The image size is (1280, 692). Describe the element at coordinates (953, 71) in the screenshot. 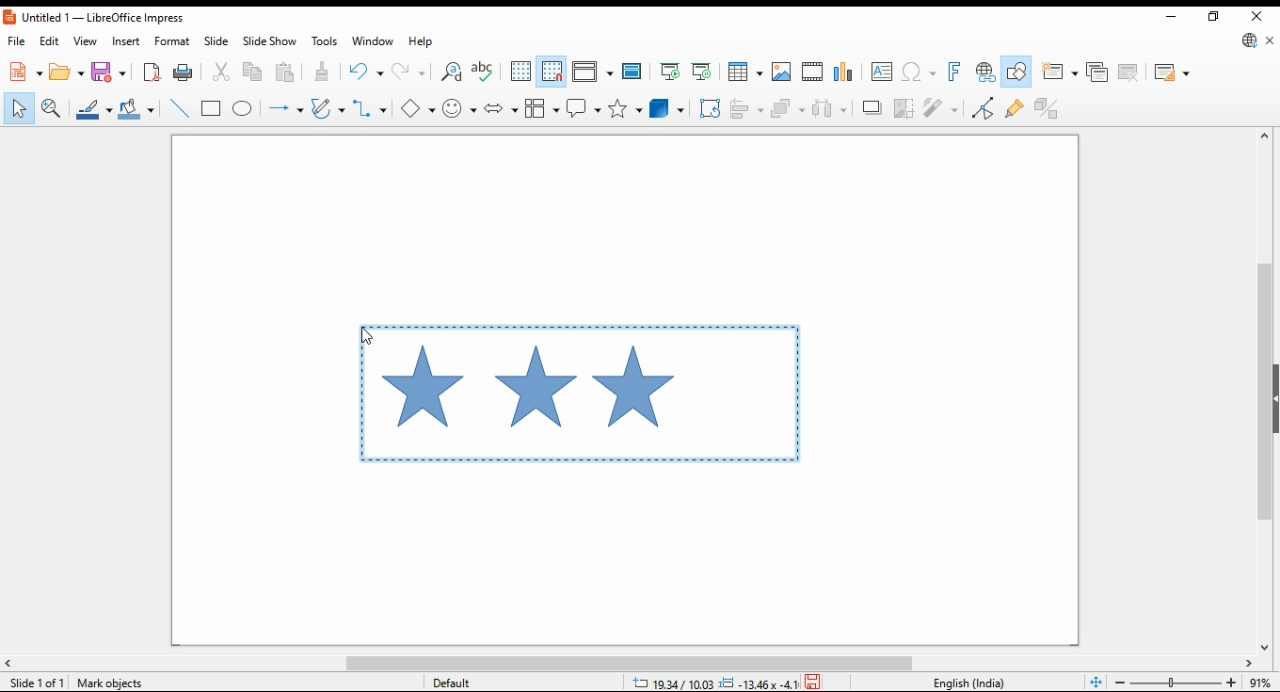

I see `insert fontwork text` at that location.